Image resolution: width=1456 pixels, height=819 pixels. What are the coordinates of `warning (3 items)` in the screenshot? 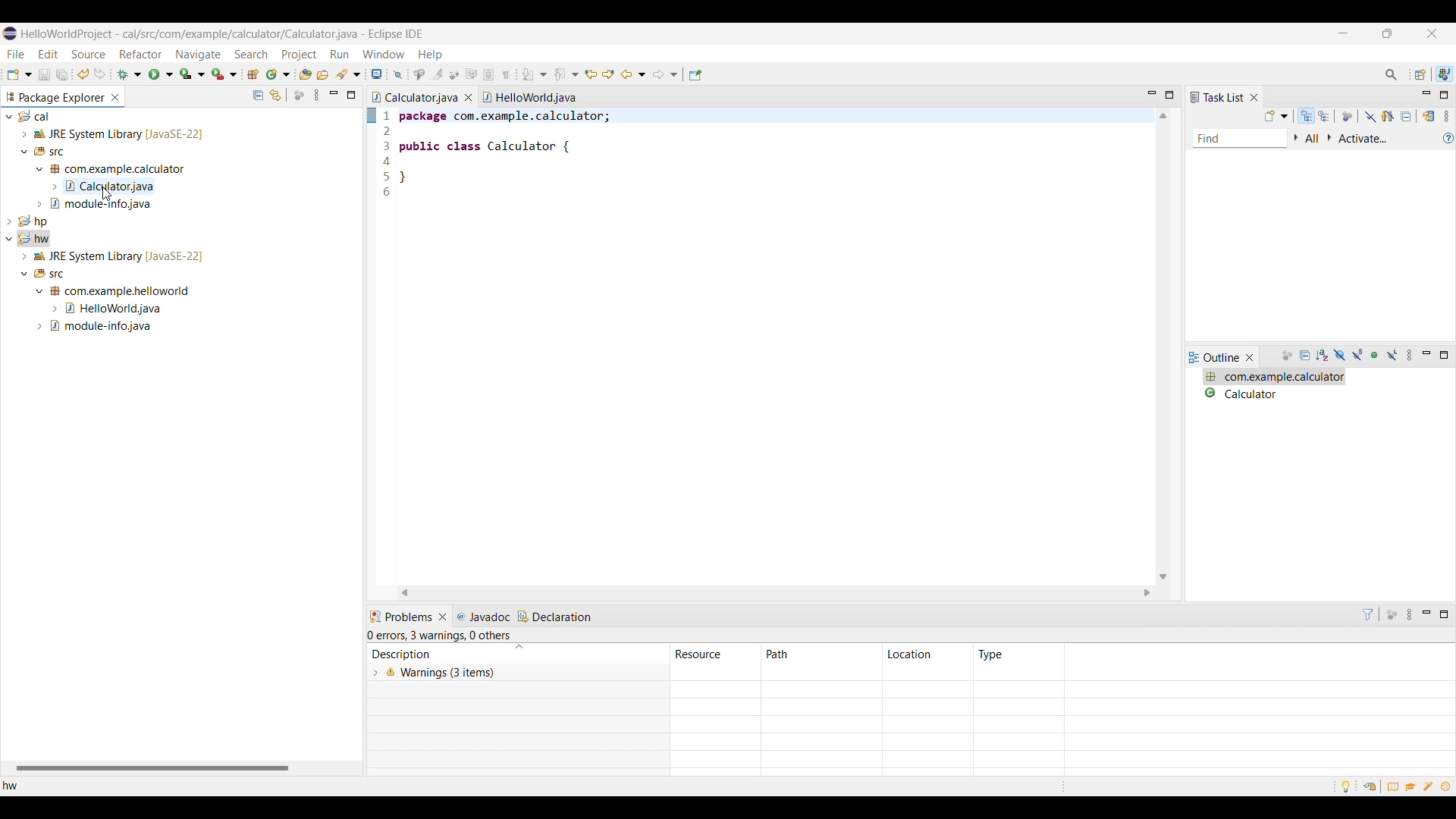 It's located at (698, 684).